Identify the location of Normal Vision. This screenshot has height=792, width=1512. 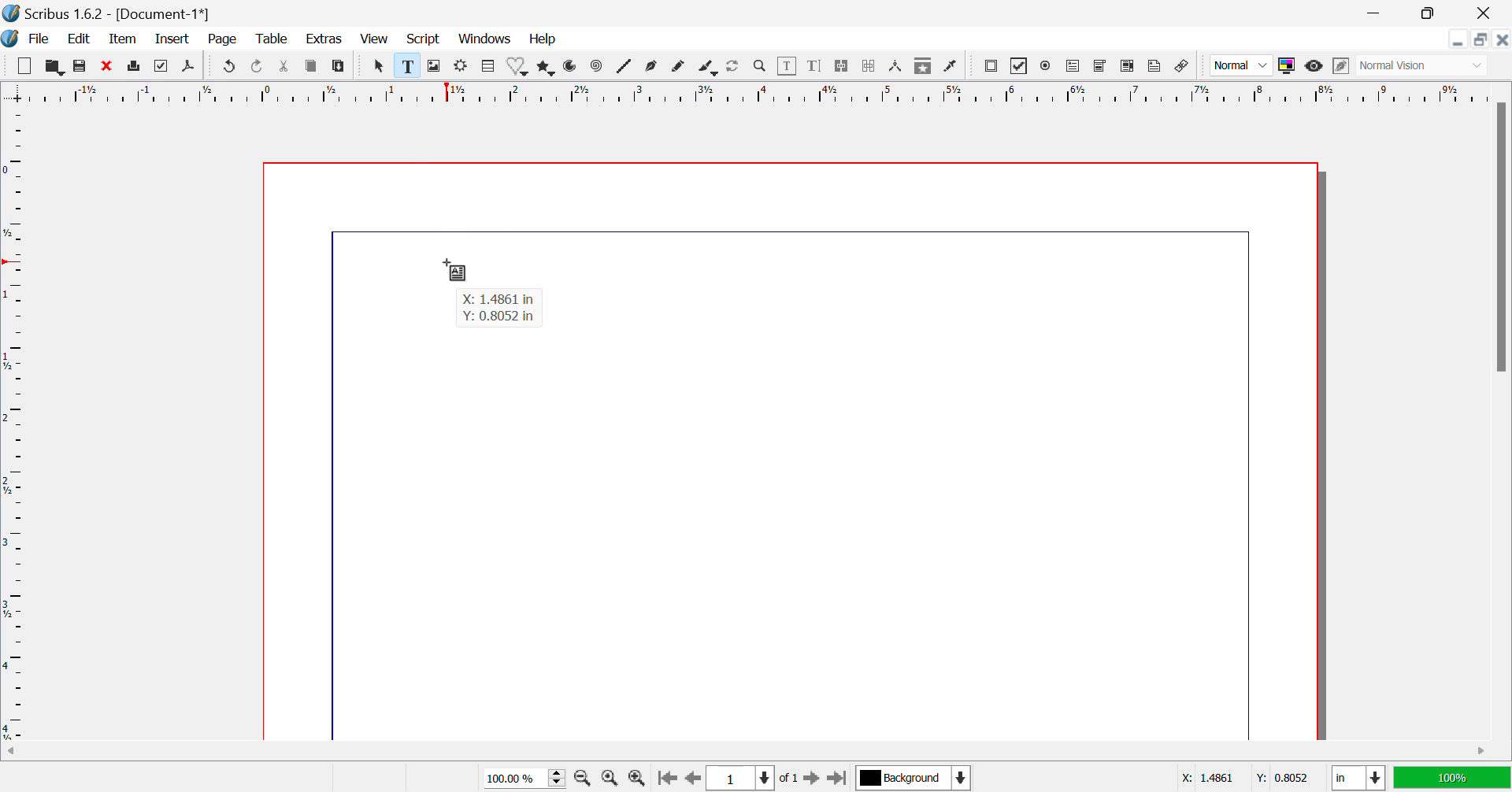
(1425, 67).